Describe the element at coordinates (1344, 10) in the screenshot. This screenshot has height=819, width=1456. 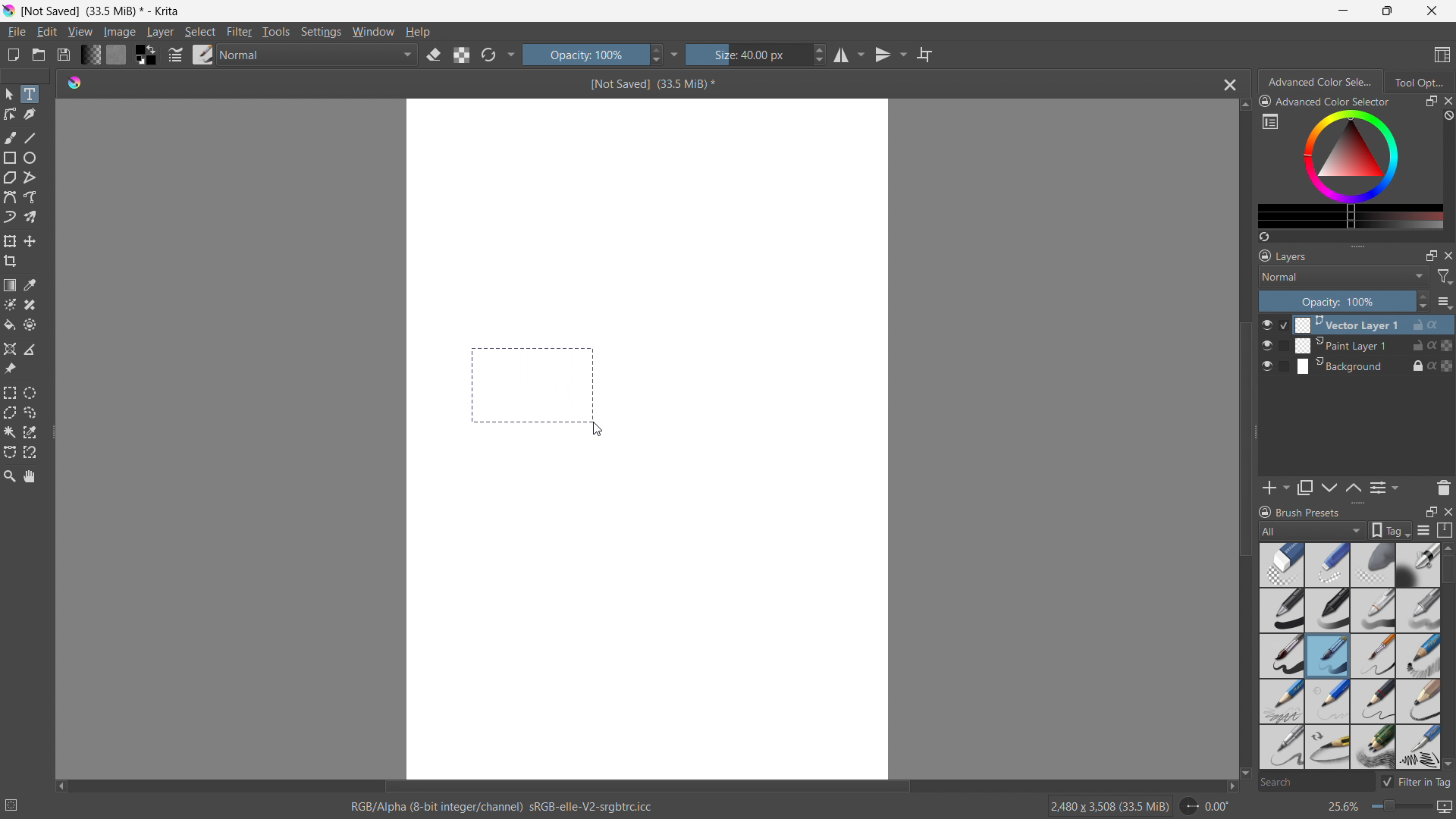
I see `minimize` at that location.